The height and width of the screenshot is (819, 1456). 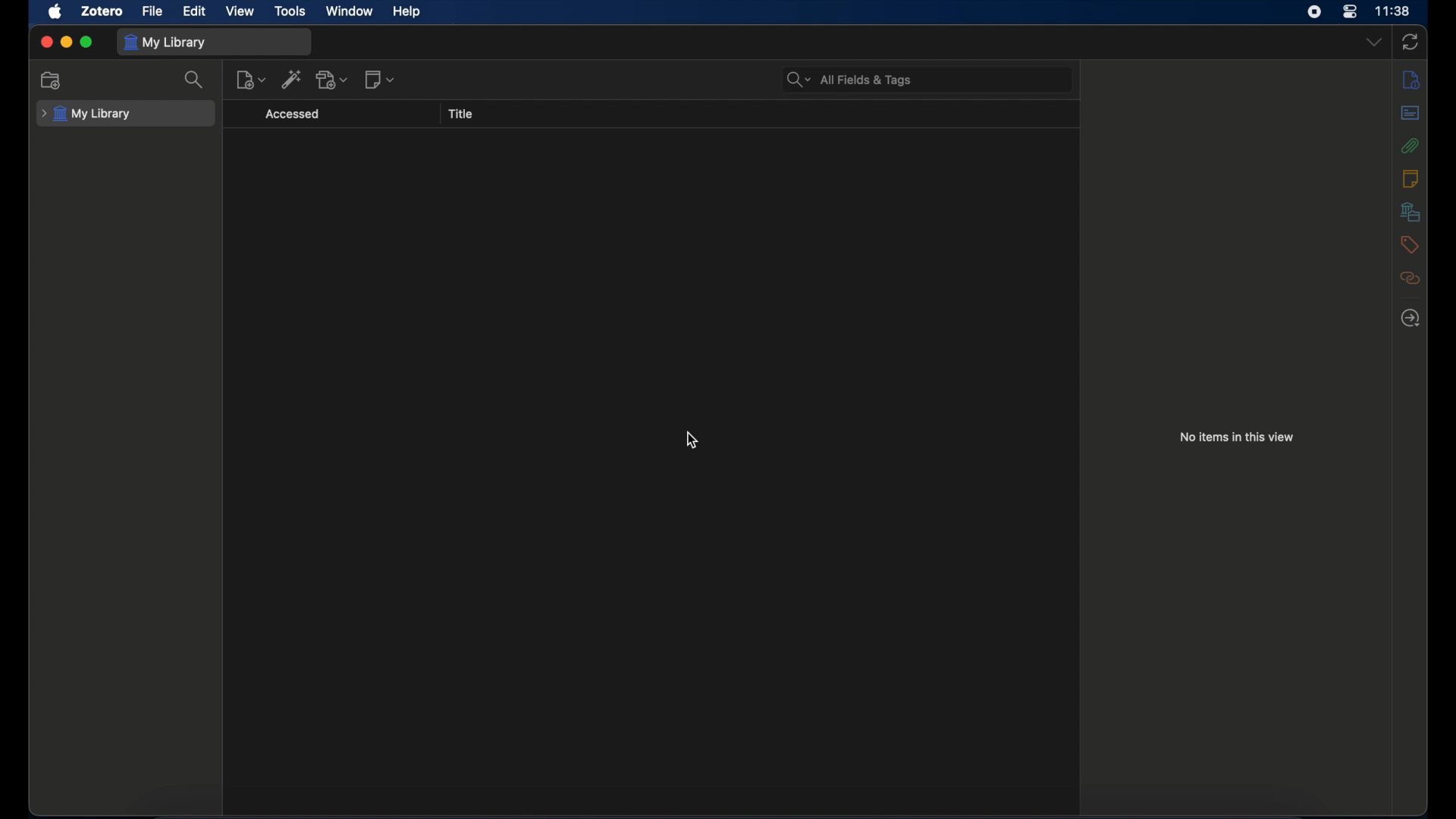 I want to click on notes, so click(x=1412, y=178).